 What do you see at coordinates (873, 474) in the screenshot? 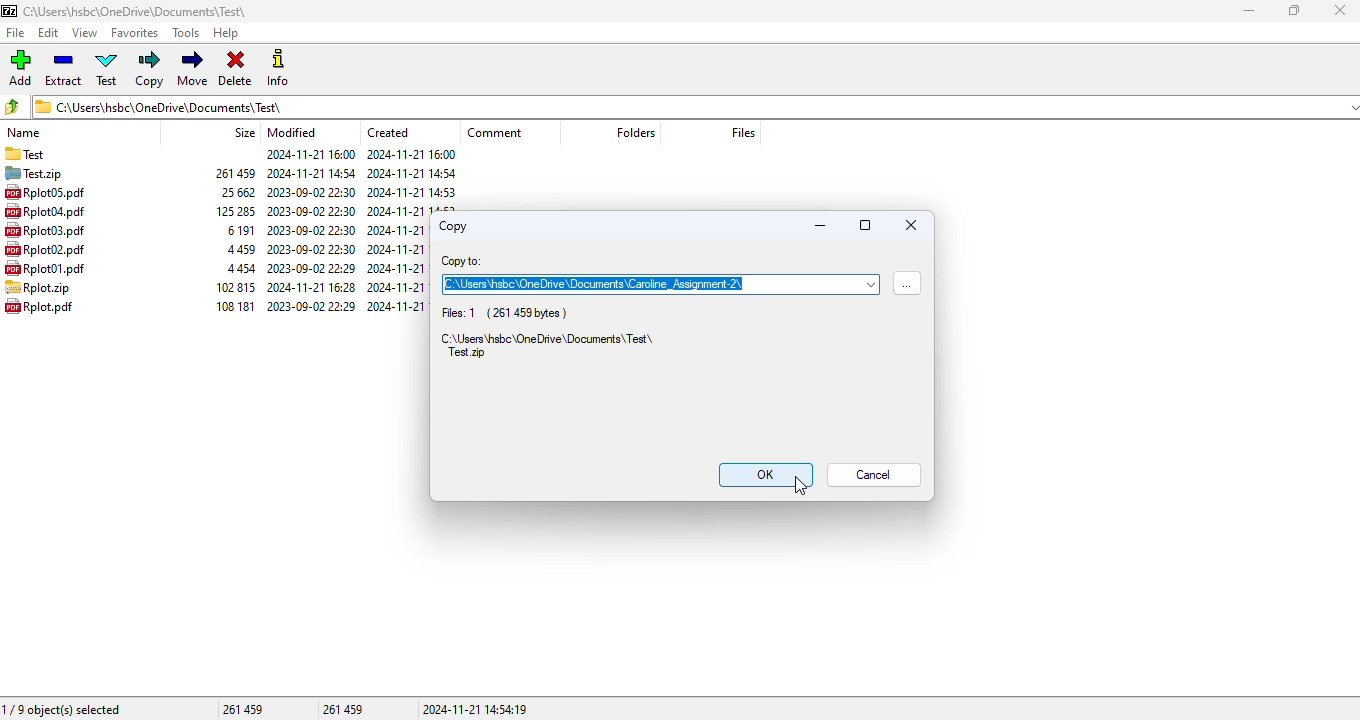
I see `cancel` at bounding box center [873, 474].